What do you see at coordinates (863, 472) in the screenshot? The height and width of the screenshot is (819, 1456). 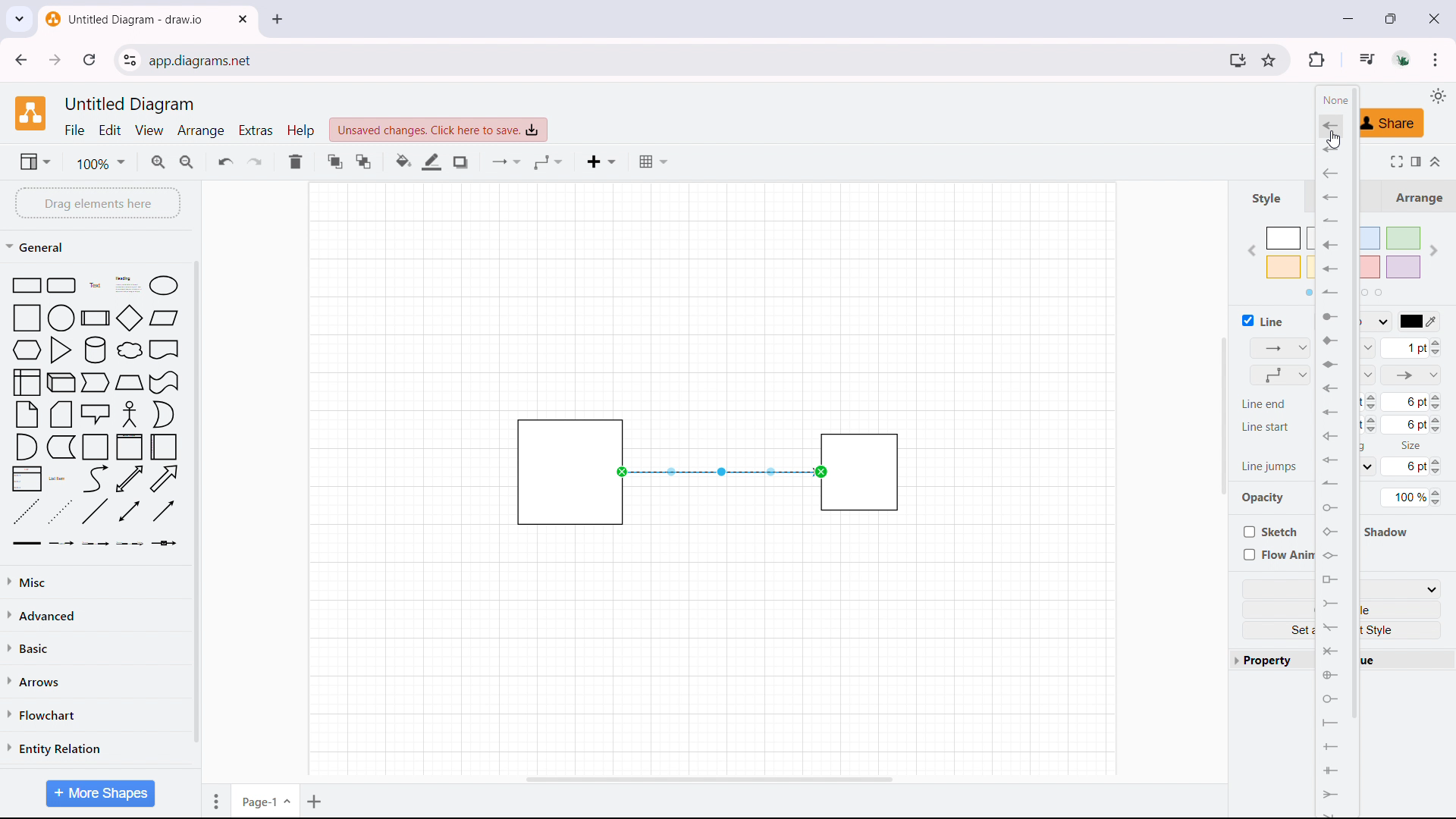 I see `object 2 is highlighted` at bounding box center [863, 472].